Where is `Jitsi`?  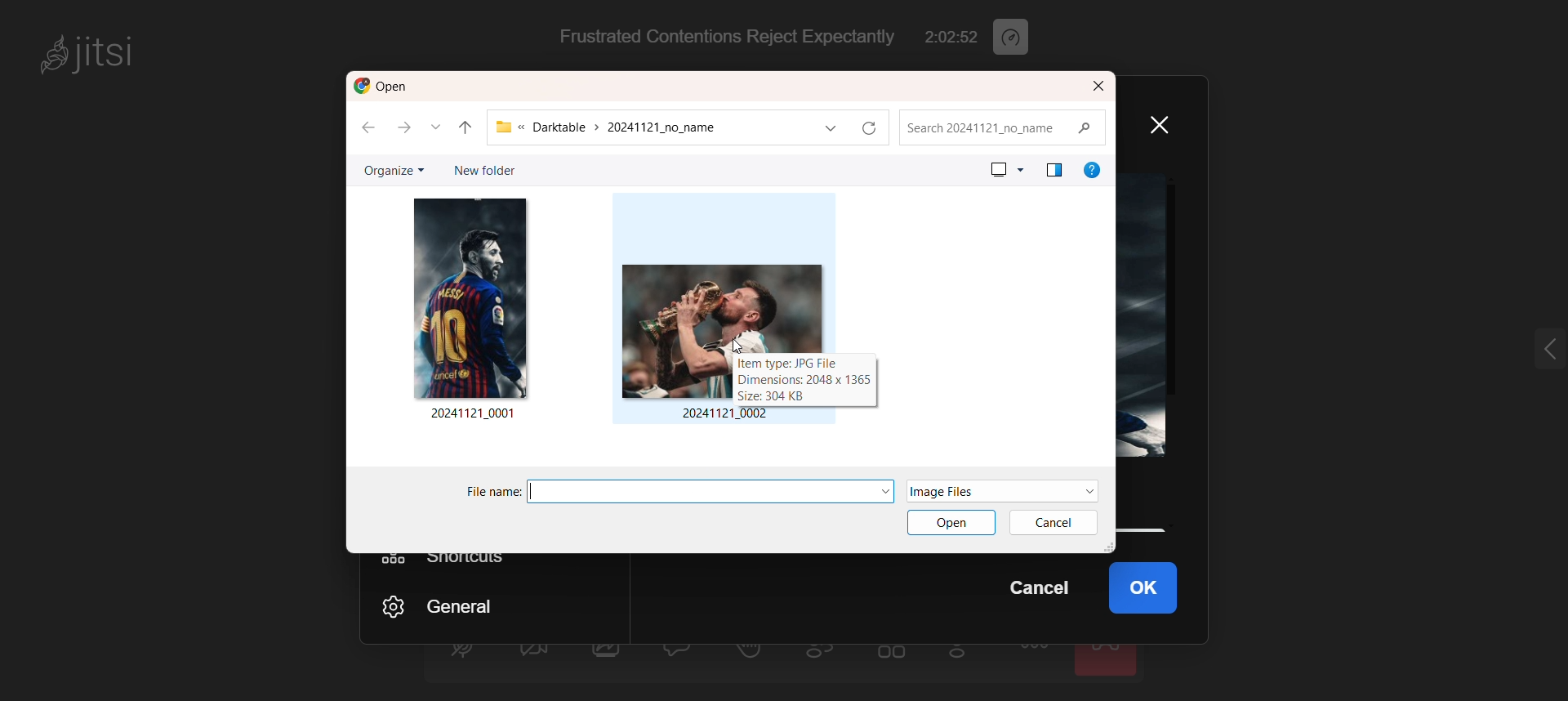 Jitsi is located at coordinates (93, 51).